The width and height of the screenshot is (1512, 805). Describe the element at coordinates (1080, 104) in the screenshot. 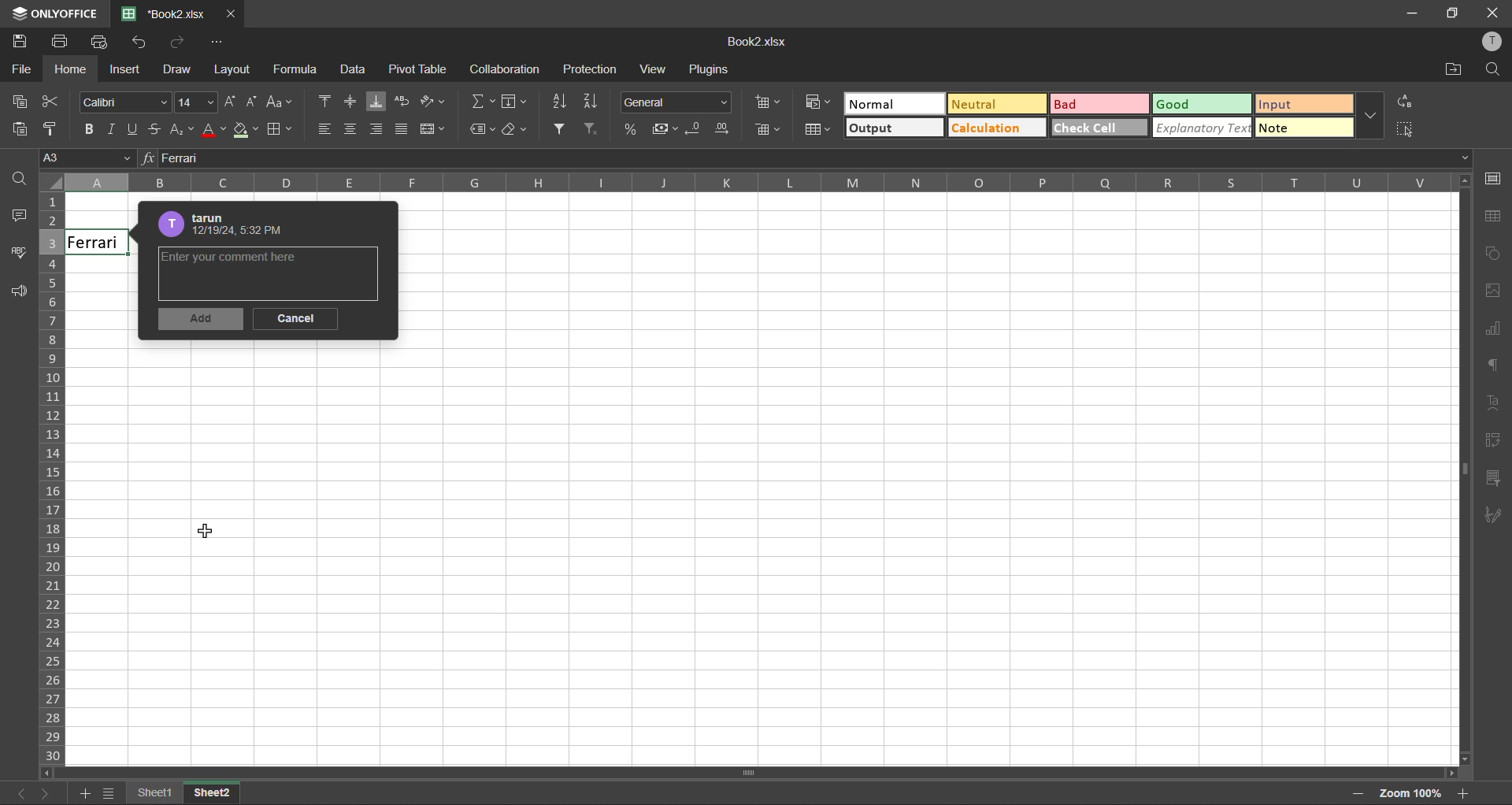

I see `bad` at that location.